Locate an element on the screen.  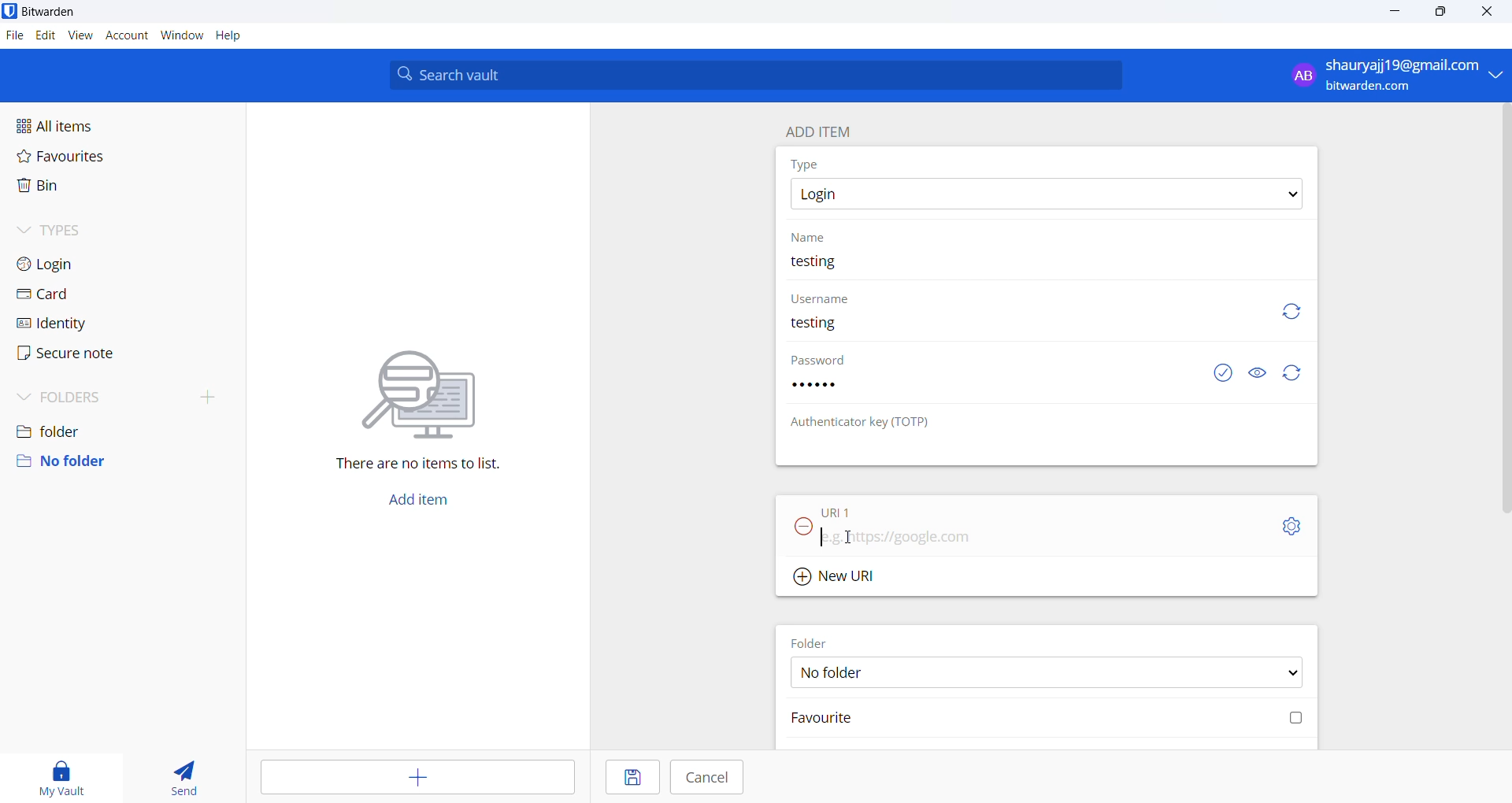
application name and logo is located at coordinates (58, 13).